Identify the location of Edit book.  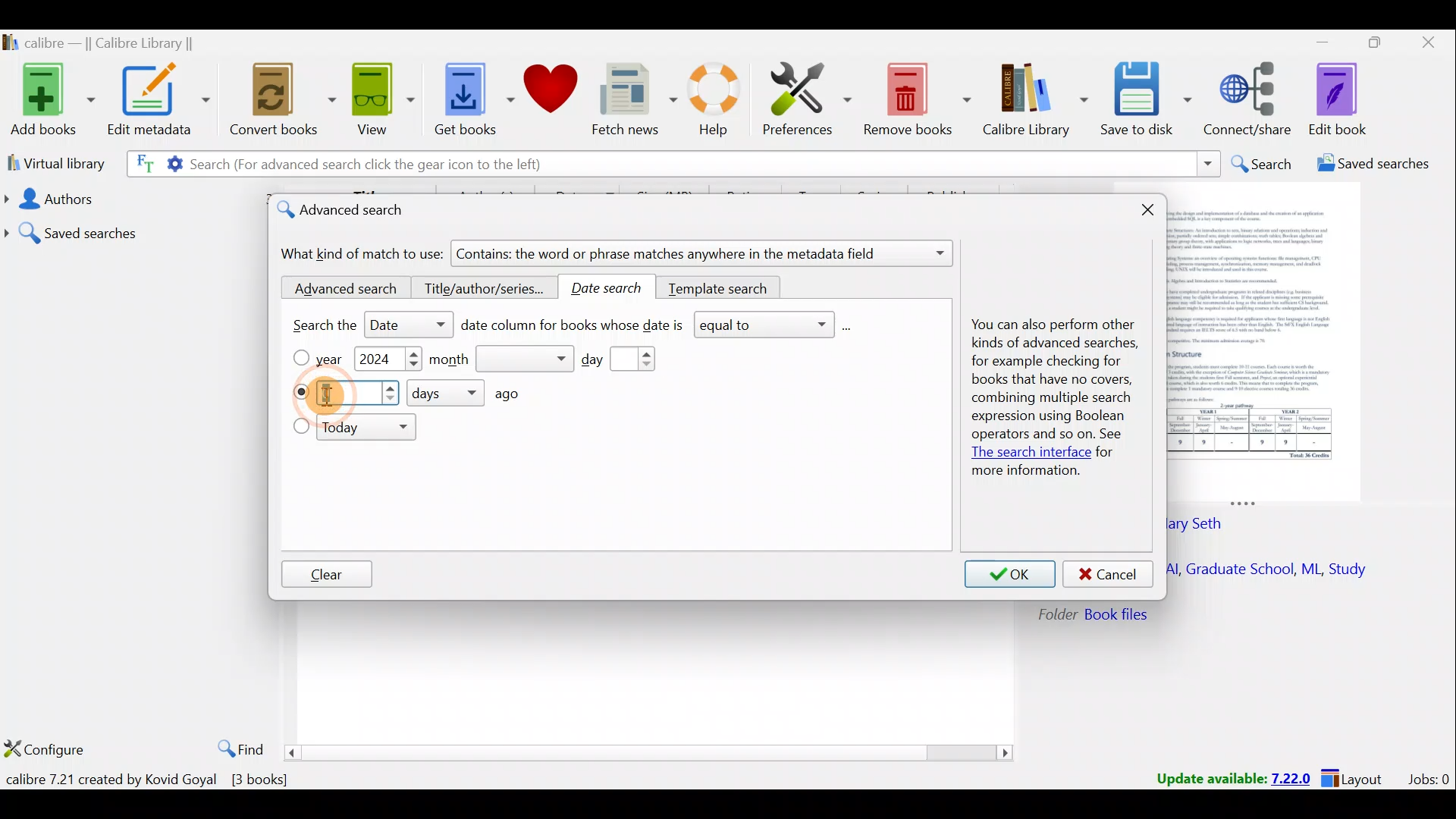
(1350, 99).